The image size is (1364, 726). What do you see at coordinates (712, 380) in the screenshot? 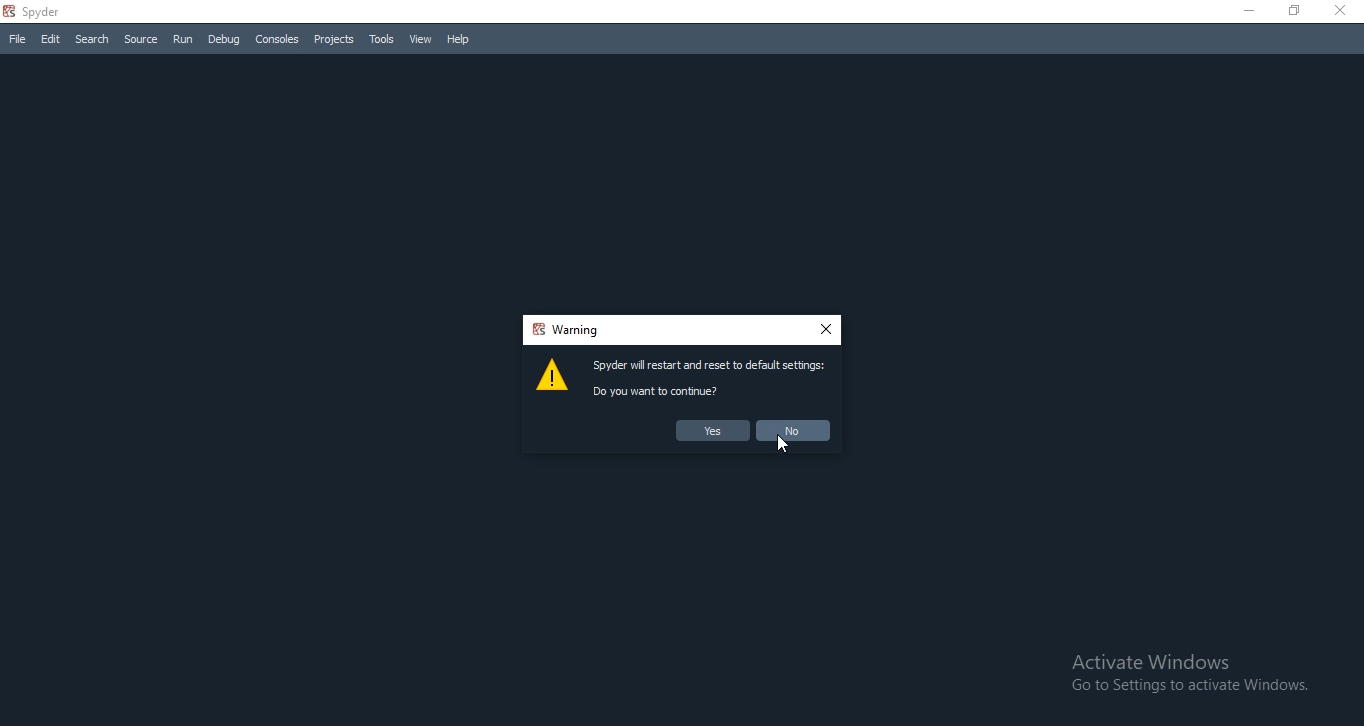
I see `‘Spyder wil restart and reset to default settings:
Do you want to continue?` at bounding box center [712, 380].